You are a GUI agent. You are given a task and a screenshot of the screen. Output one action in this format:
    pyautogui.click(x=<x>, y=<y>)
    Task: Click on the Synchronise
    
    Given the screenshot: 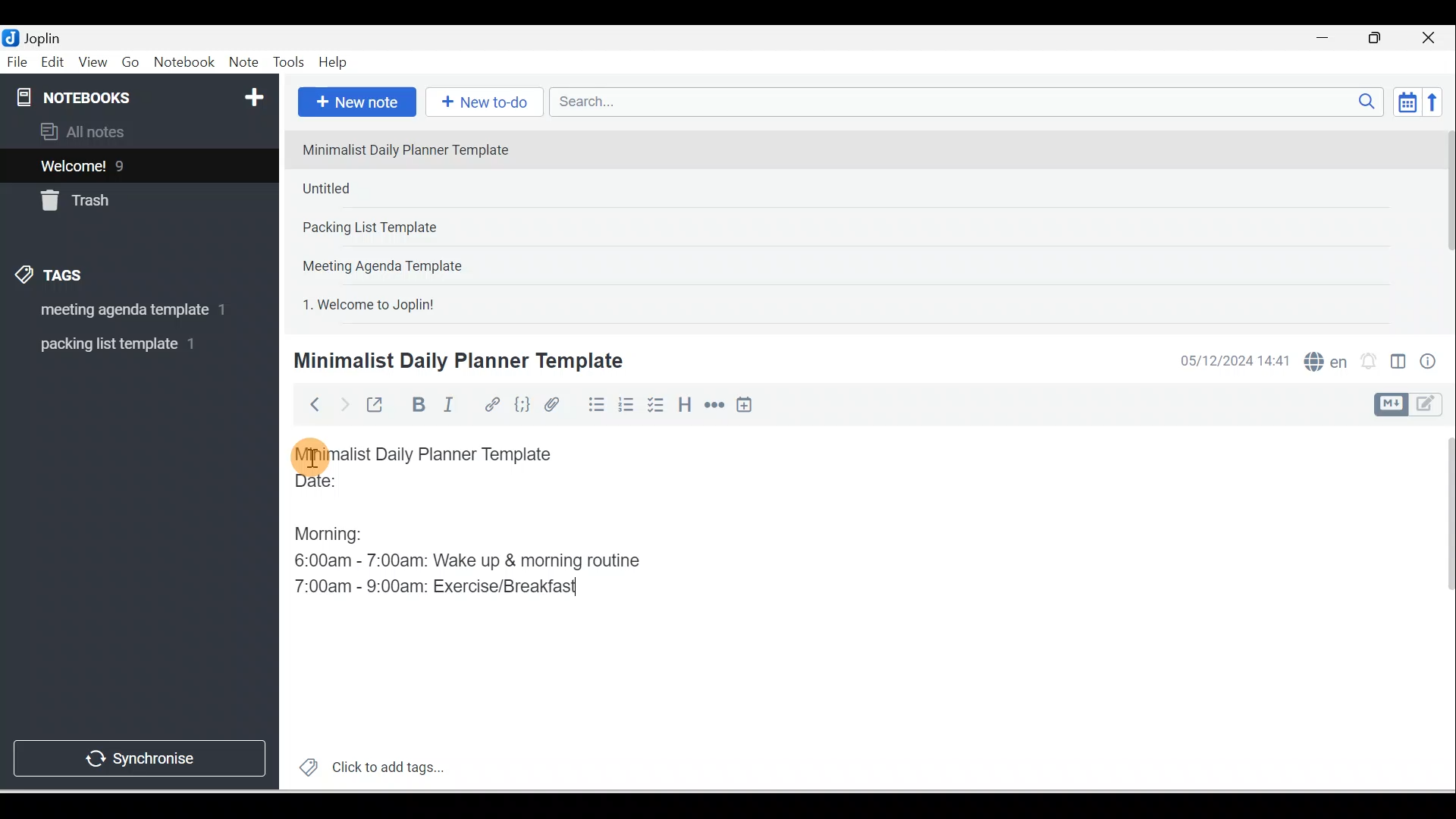 What is the action you would take?
    pyautogui.click(x=138, y=755)
    